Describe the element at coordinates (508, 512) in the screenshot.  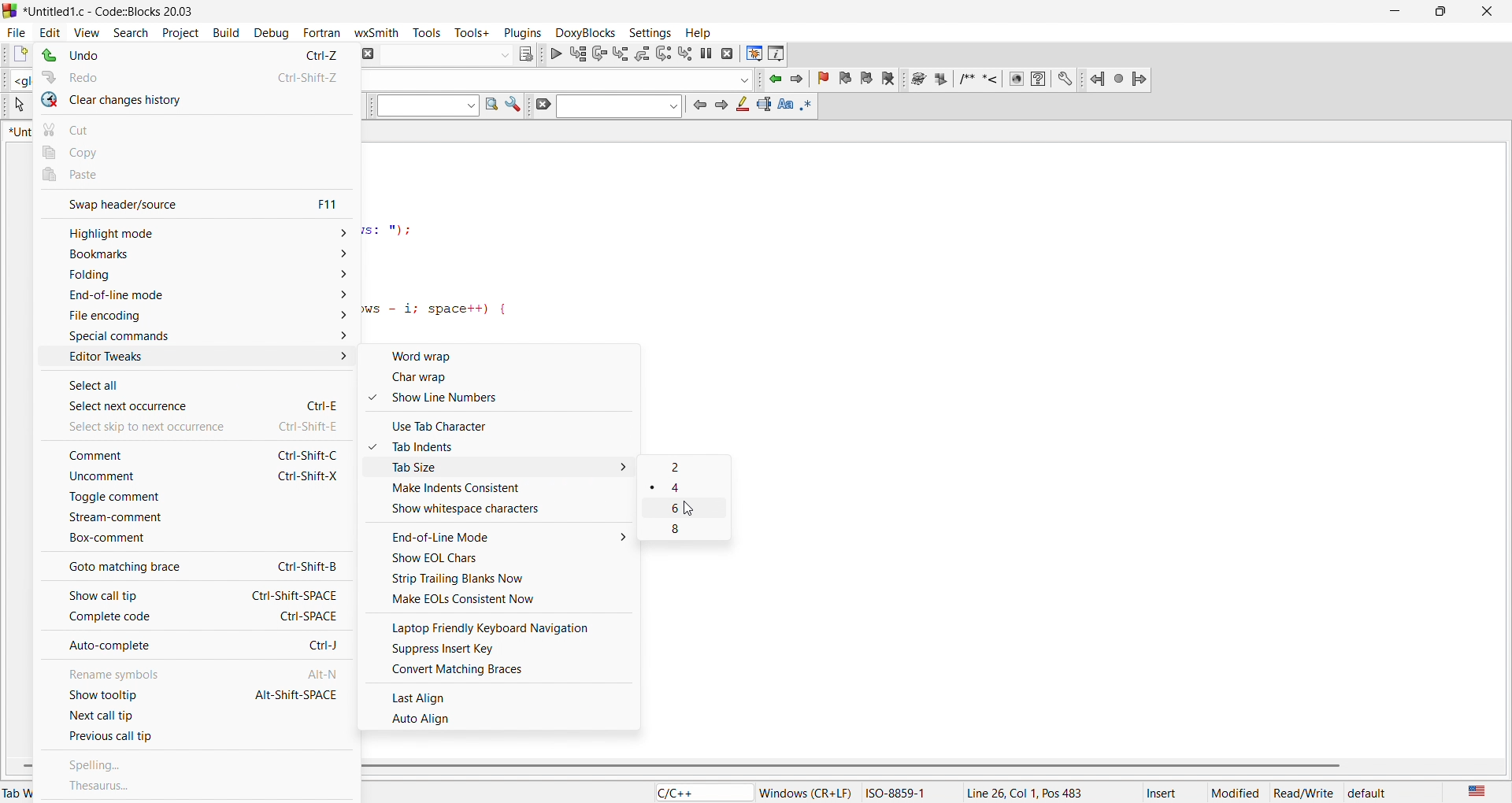
I see `show whitespace characters` at that location.